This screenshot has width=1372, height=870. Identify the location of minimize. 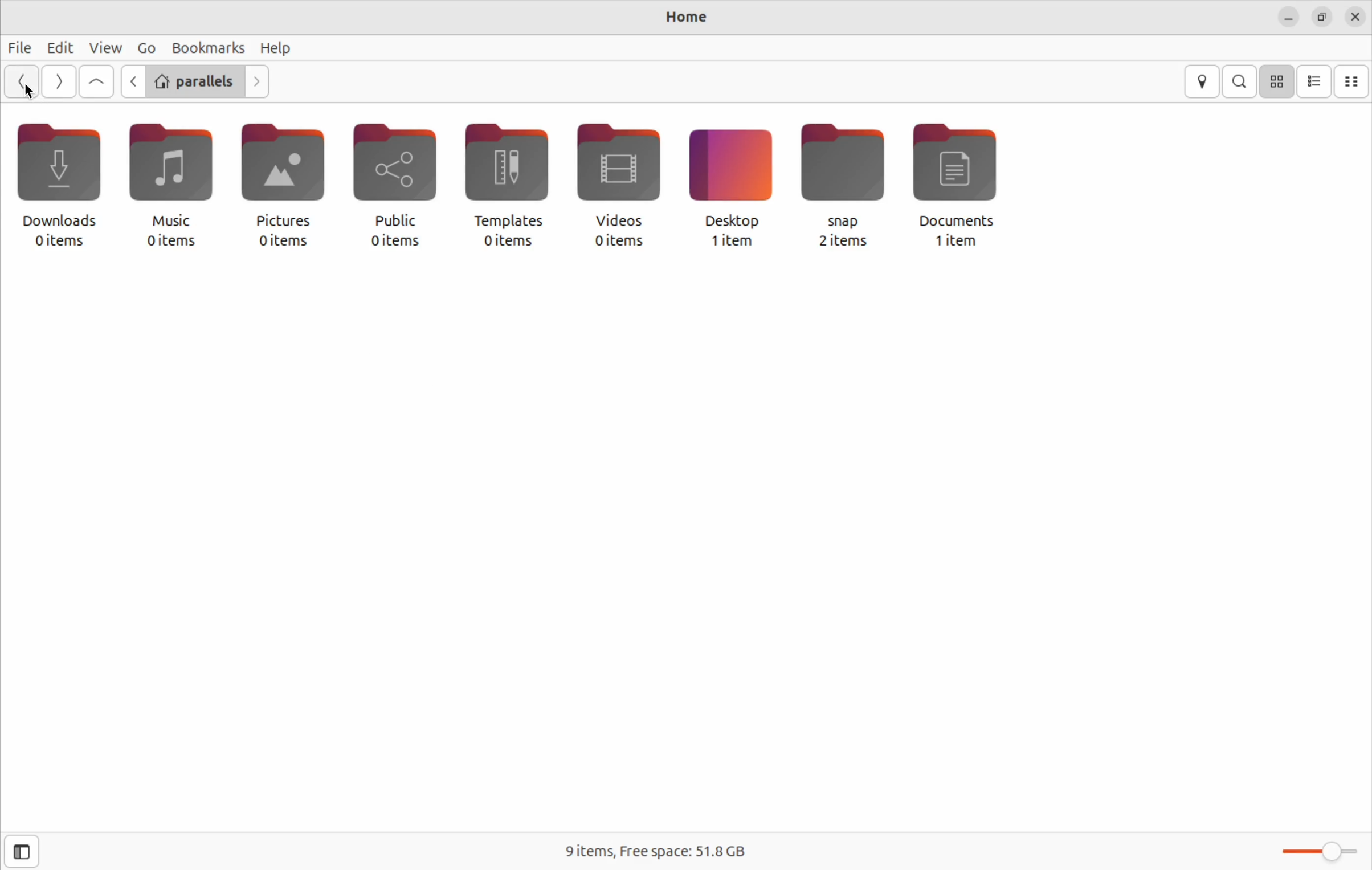
(1286, 17).